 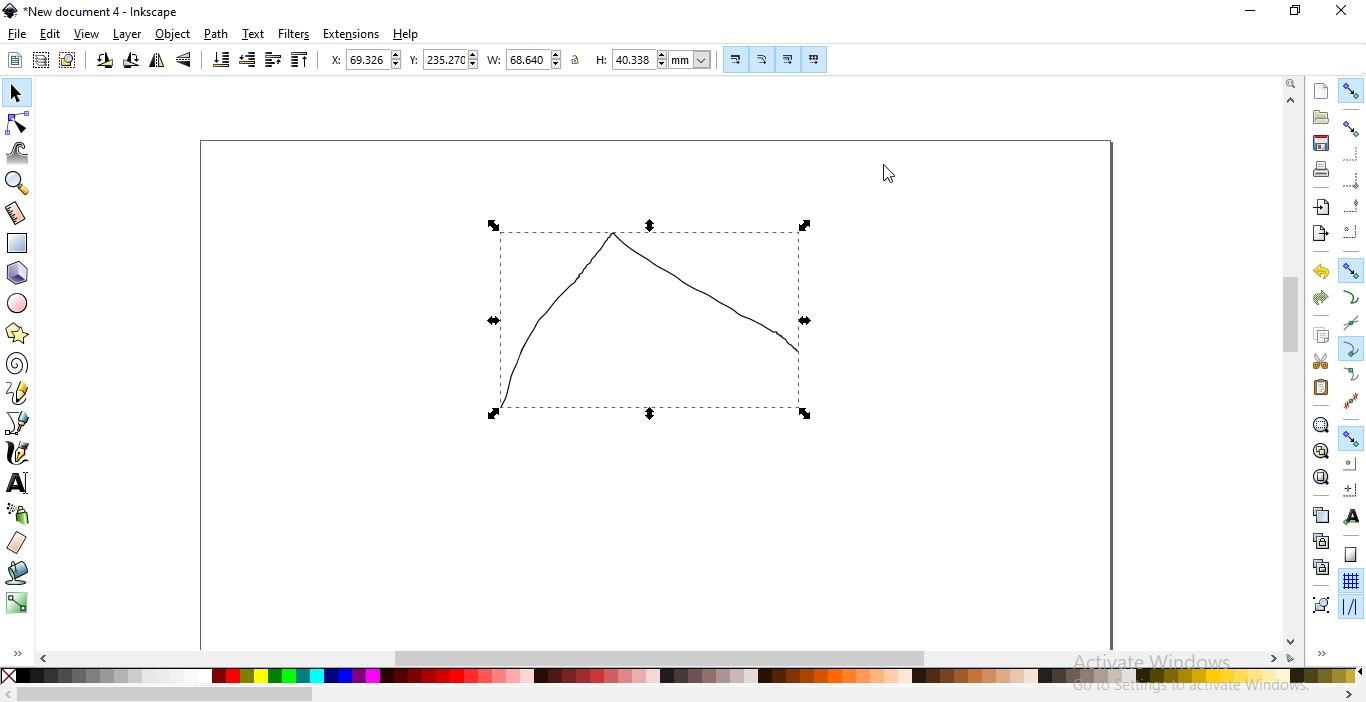 What do you see at coordinates (1351, 91) in the screenshot?
I see `enable snapping` at bounding box center [1351, 91].